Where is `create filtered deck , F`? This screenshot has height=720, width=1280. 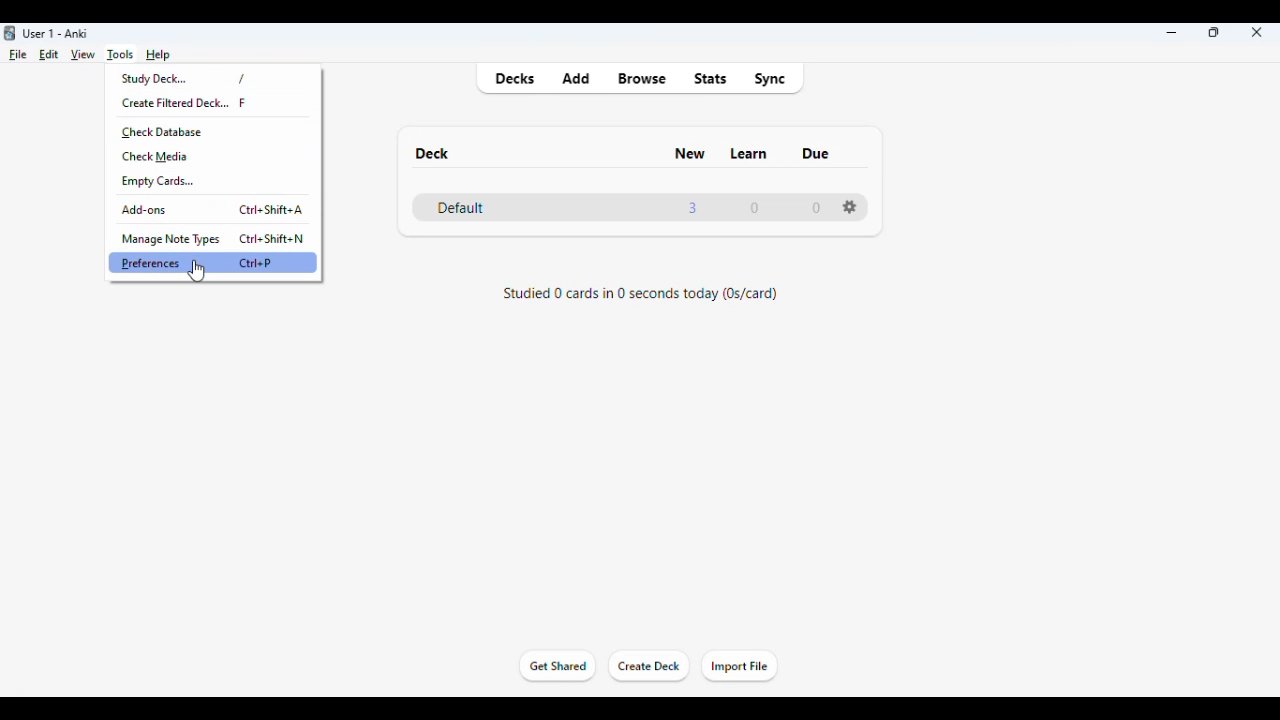
create filtered deck , F is located at coordinates (198, 102).